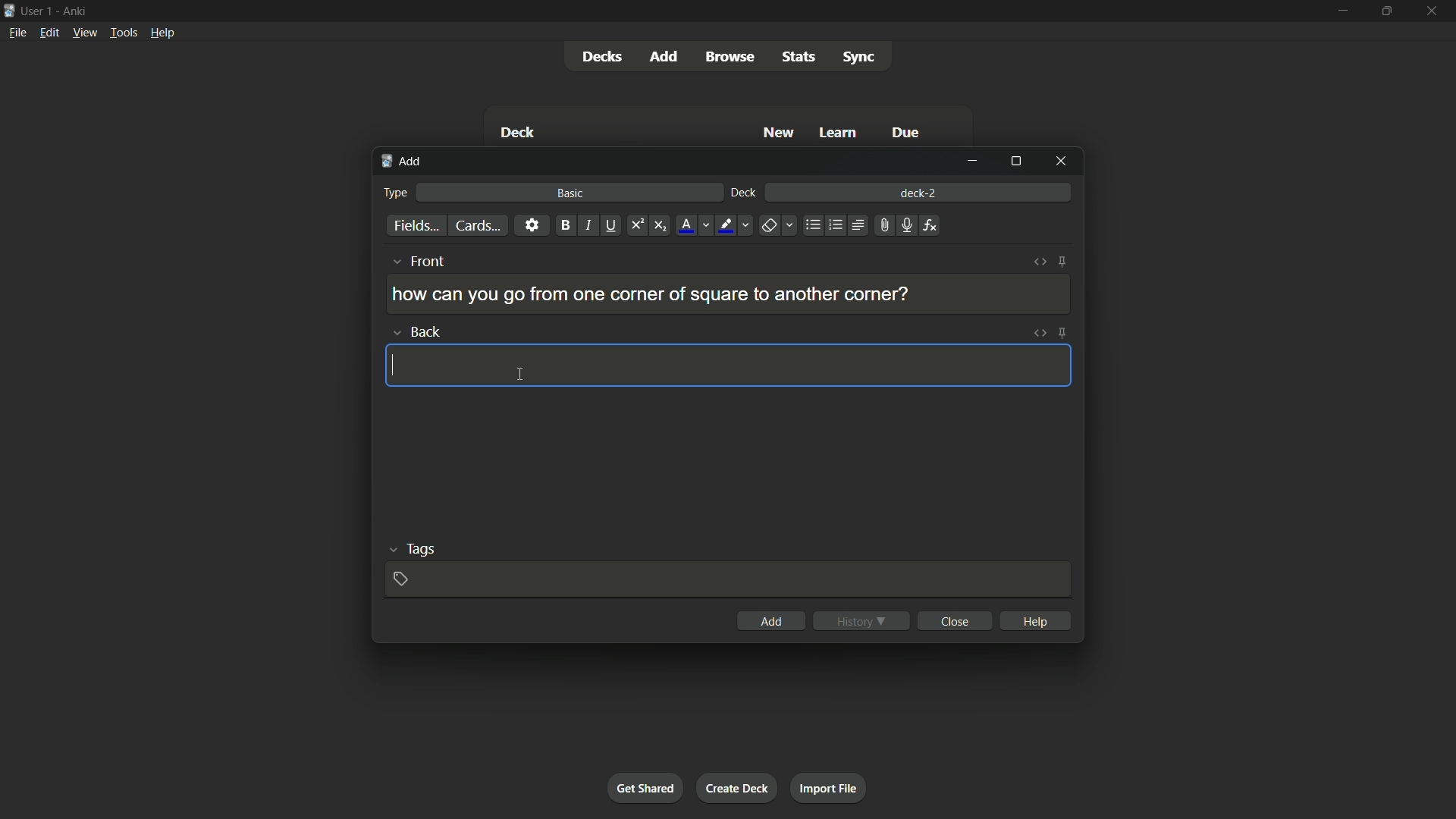 This screenshot has width=1456, height=819. Describe the element at coordinates (738, 788) in the screenshot. I see `create  deck` at that location.